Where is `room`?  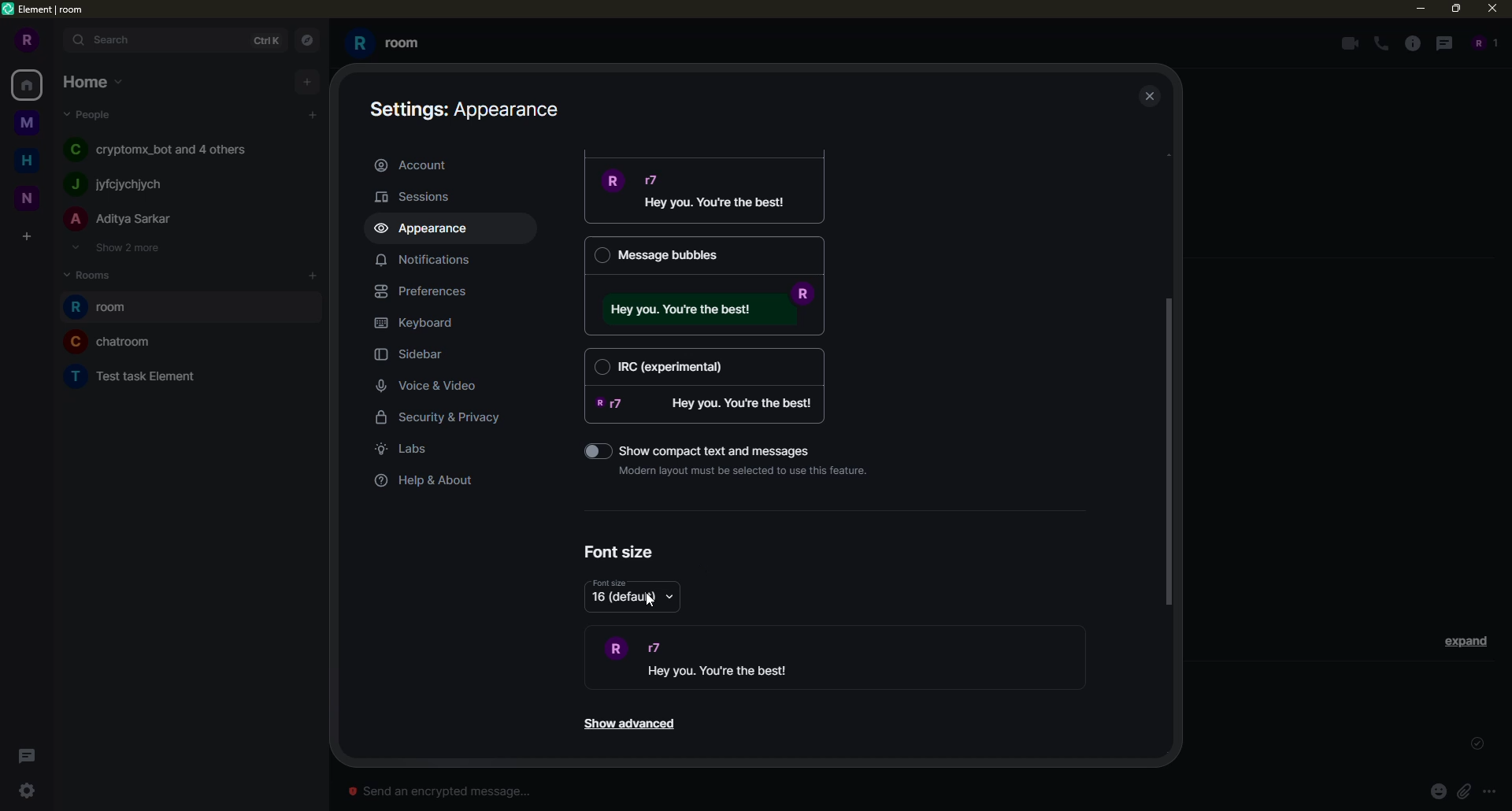 room is located at coordinates (138, 374).